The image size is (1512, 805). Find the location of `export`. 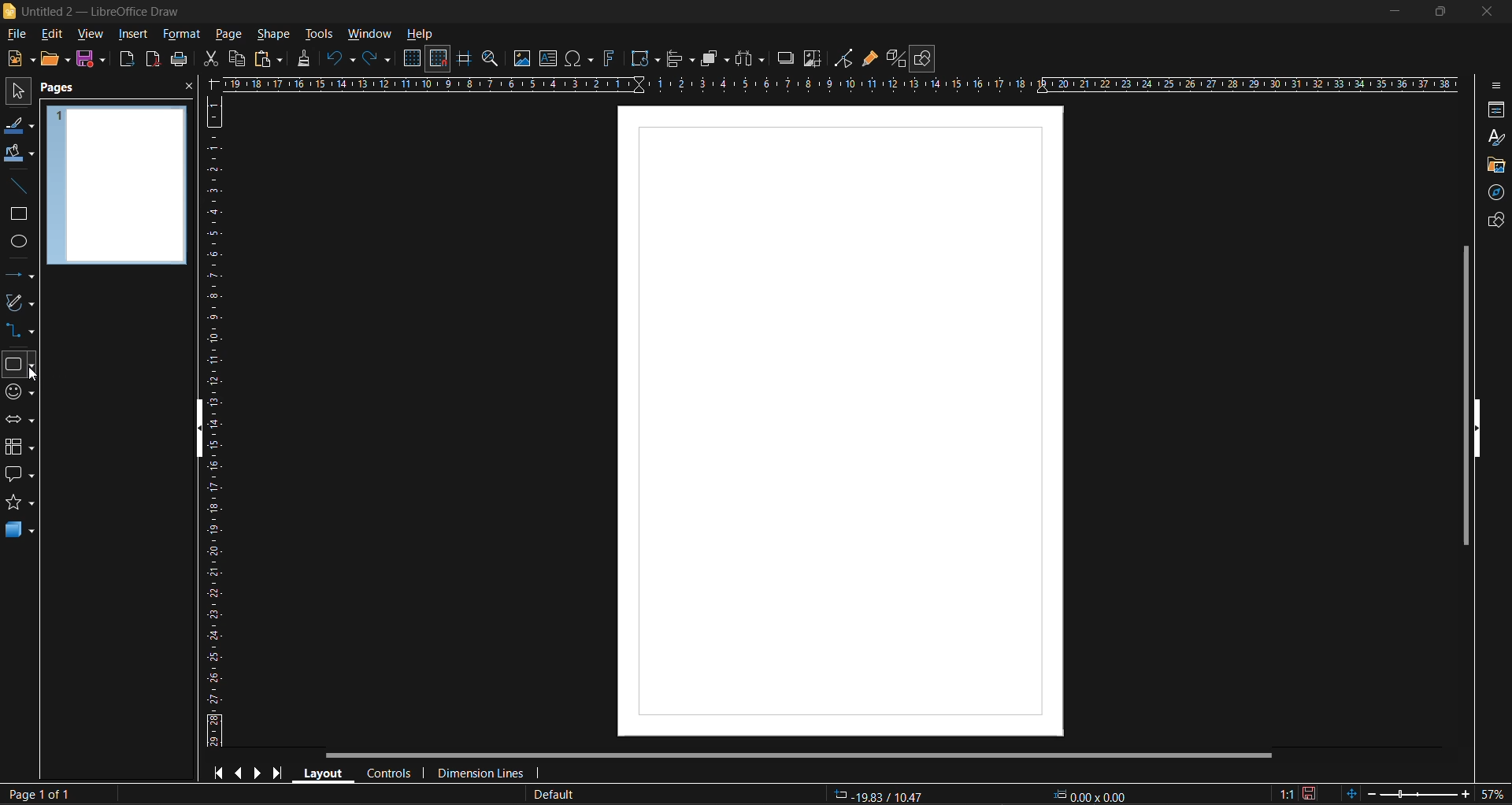

export is located at coordinates (128, 61).